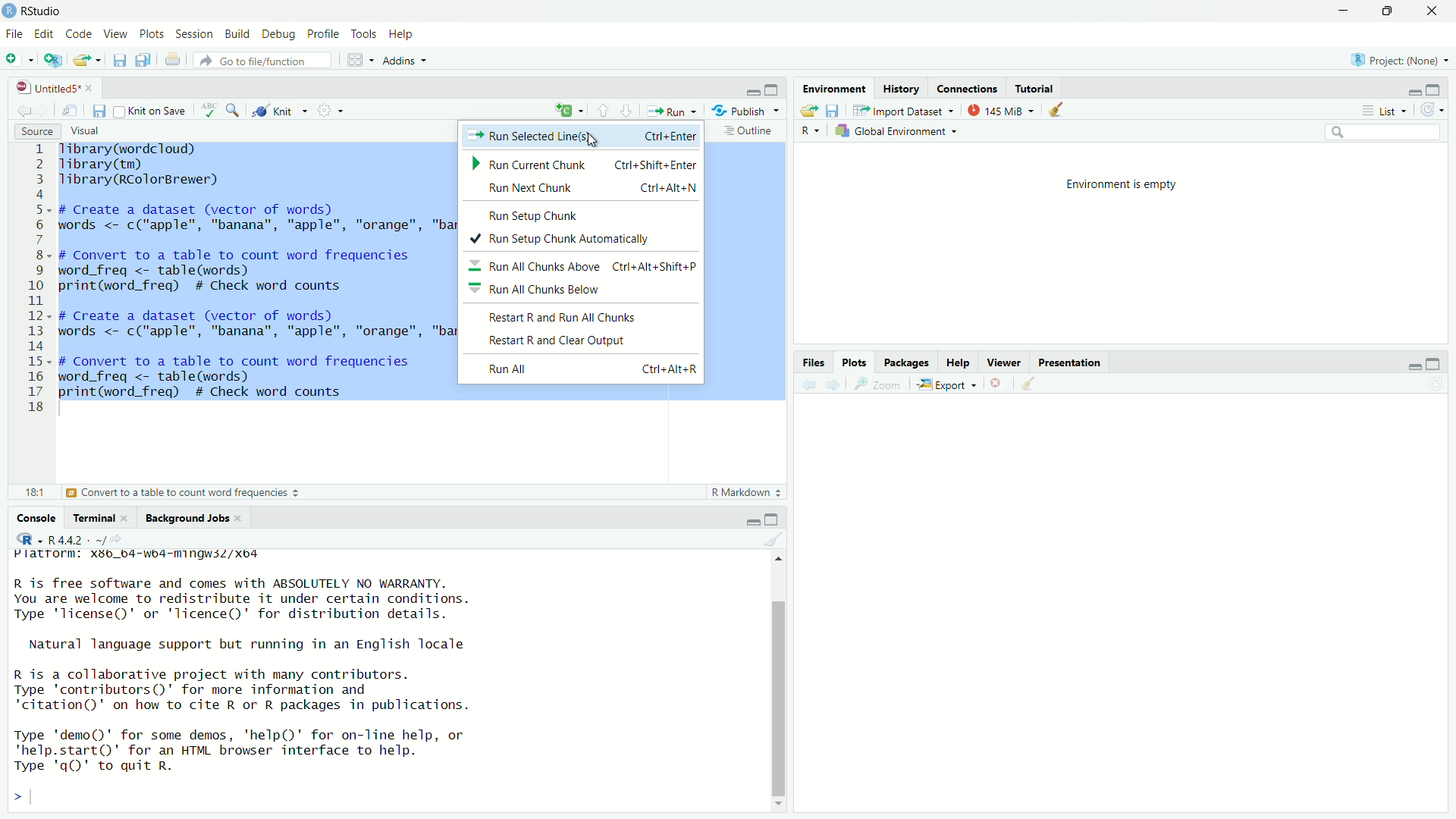  What do you see at coordinates (905, 112) in the screenshot?
I see `Input Dataset` at bounding box center [905, 112].